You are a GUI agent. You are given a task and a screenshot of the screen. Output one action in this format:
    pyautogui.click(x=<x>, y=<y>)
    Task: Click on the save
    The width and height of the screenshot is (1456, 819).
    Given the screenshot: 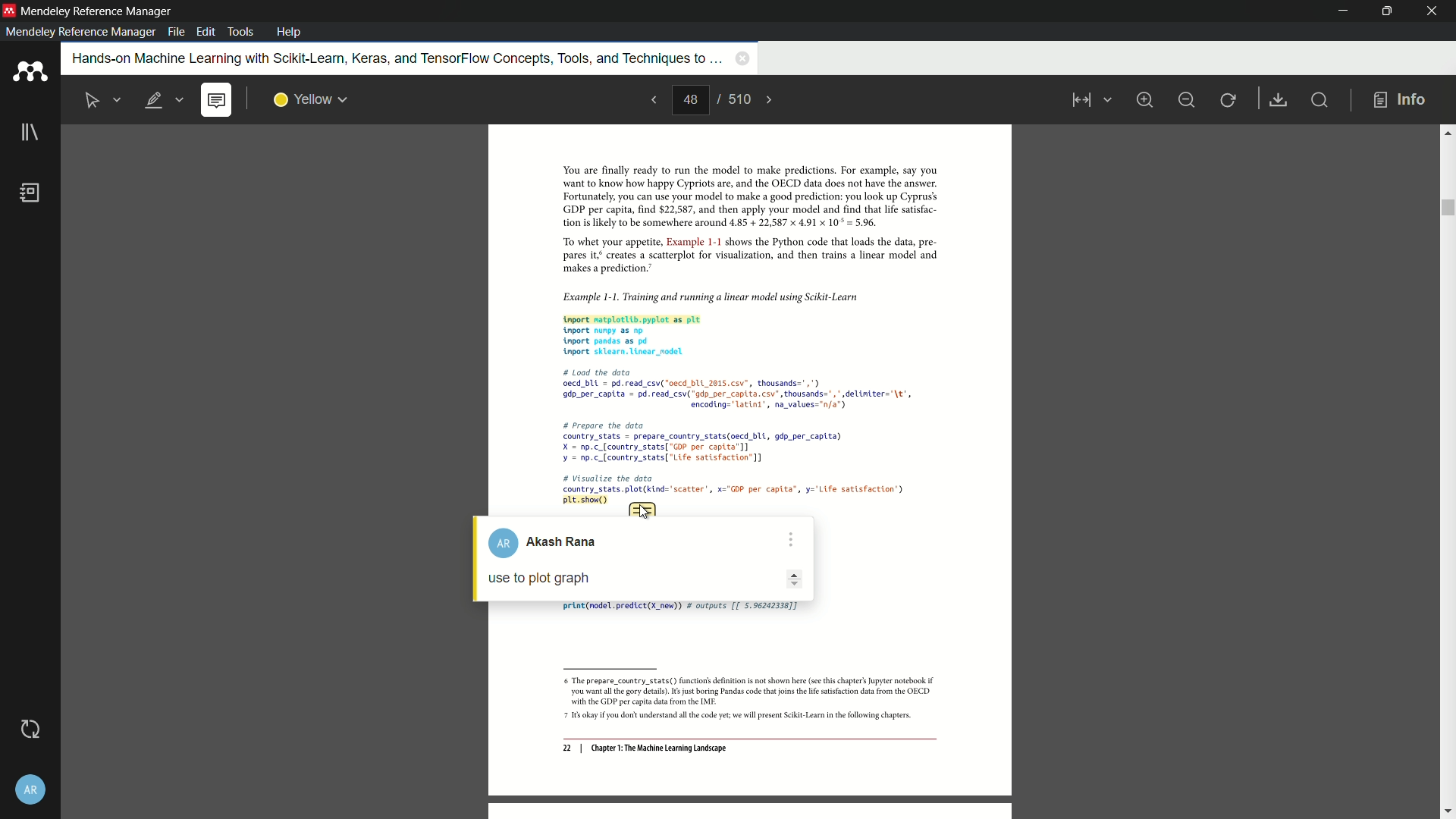 What is the action you would take?
    pyautogui.click(x=1279, y=101)
    